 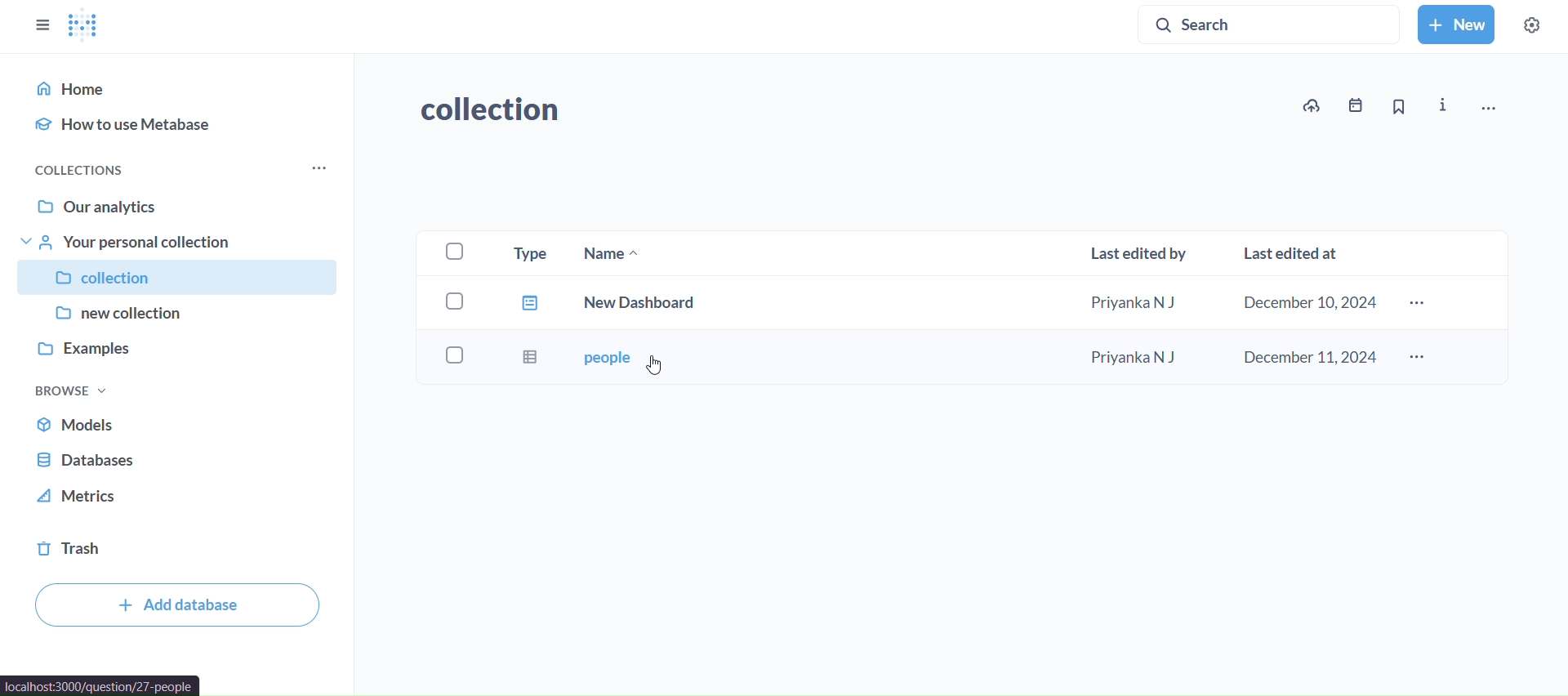 I want to click on settings, so click(x=1534, y=25).